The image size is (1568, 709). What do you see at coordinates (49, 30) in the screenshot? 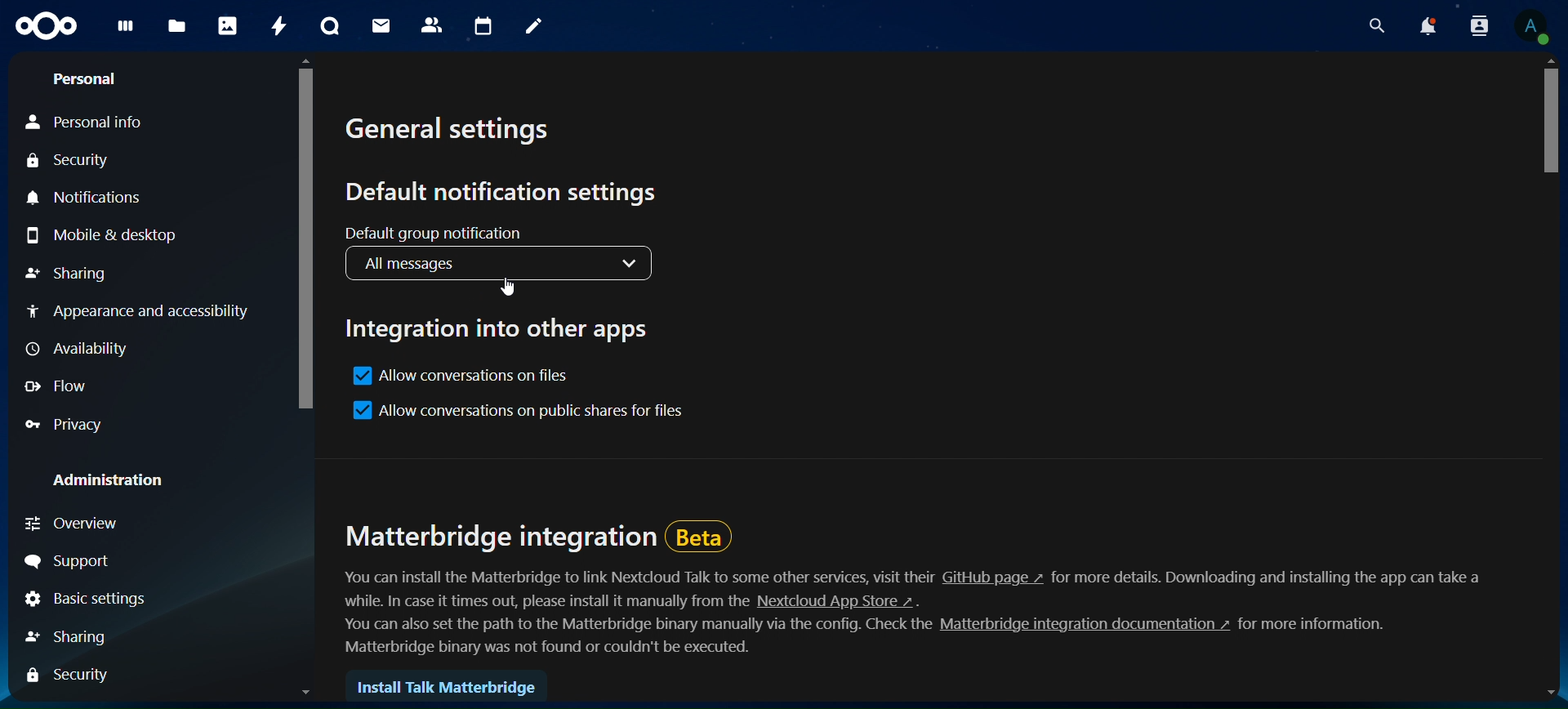
I see `icon` at bounding box center [49, 30].